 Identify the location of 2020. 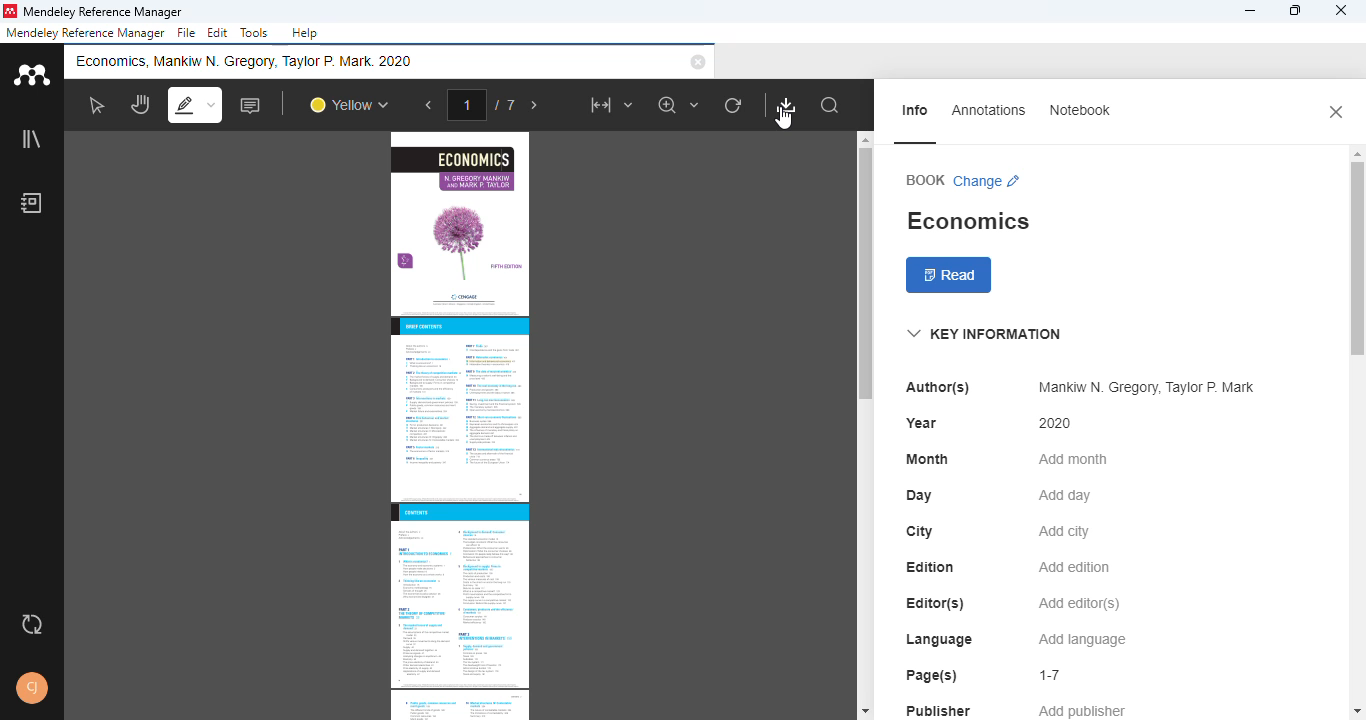
(1056, 423).